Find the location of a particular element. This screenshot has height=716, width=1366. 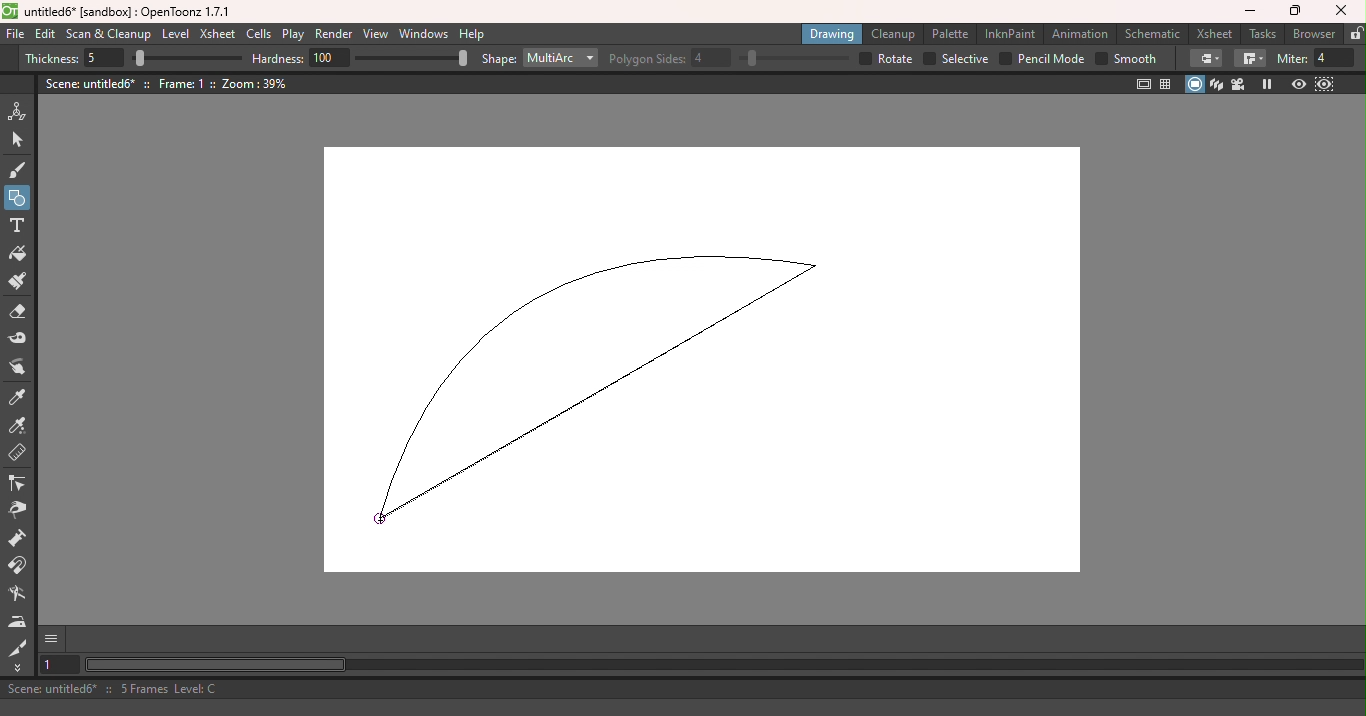

Sub-camera preview is located at coordinates (1324, 85).